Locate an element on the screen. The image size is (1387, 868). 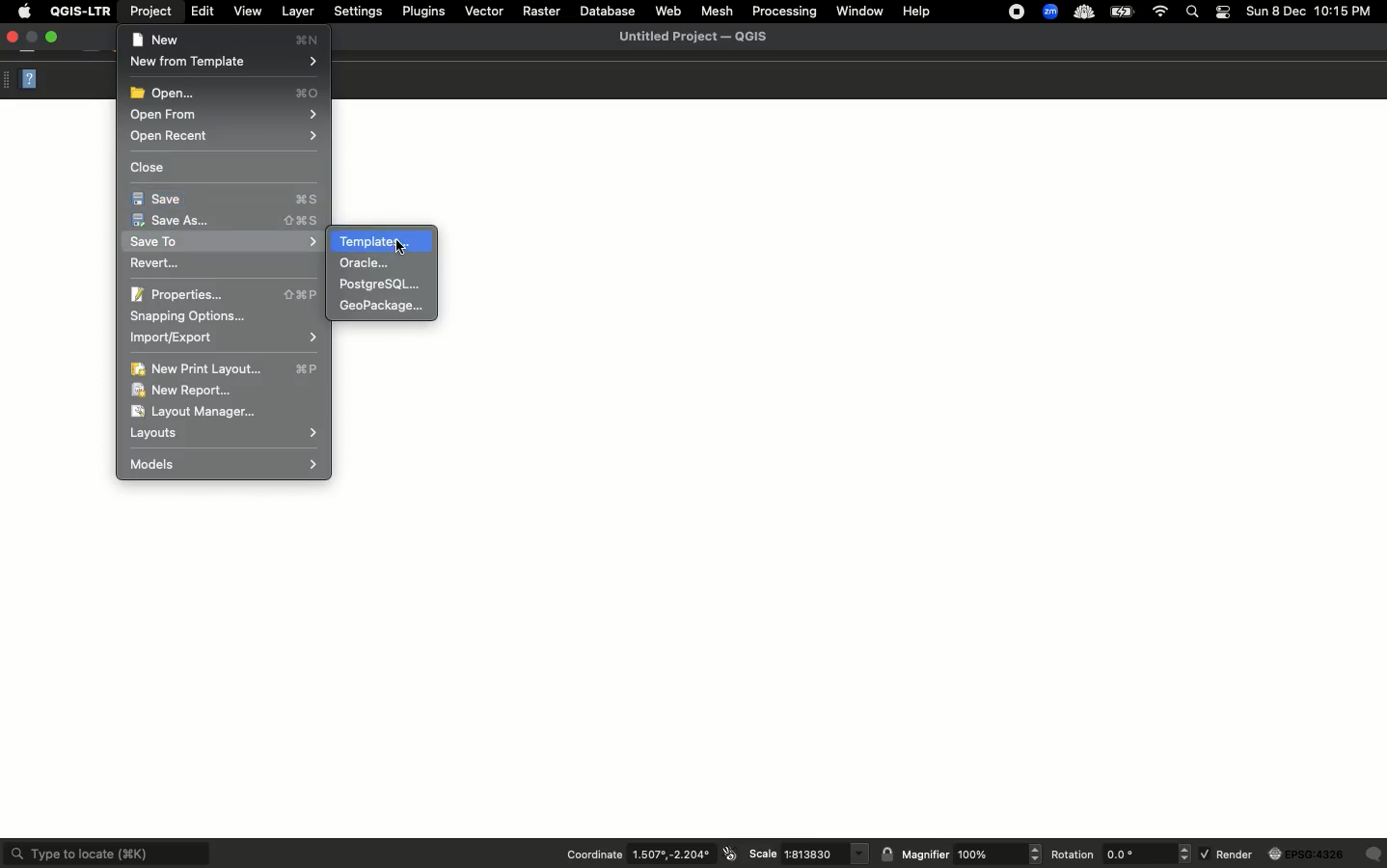
Processing is located at coordinates (784, 10).